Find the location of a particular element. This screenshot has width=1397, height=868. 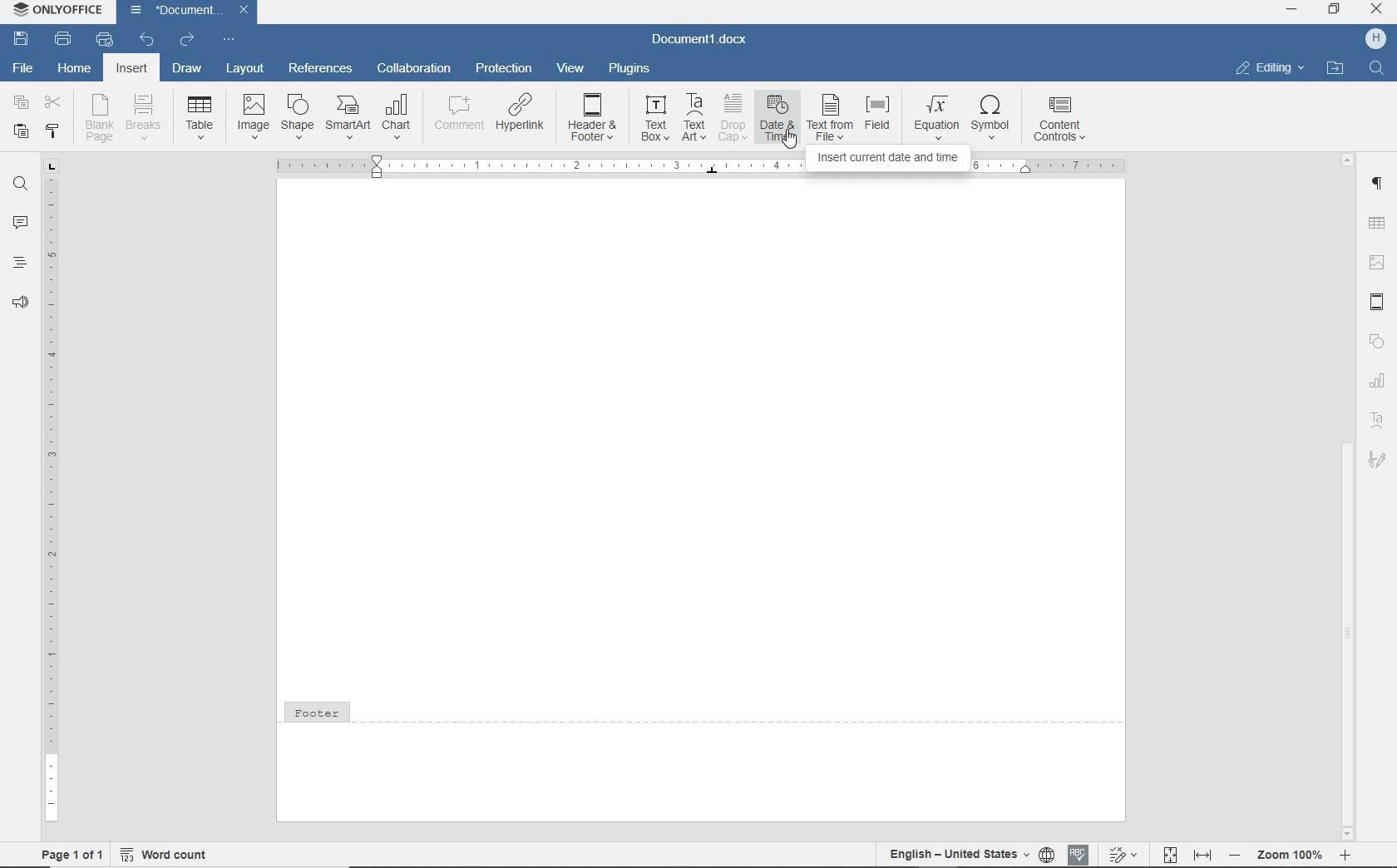

set document language is located at coordinates (1047, 855).